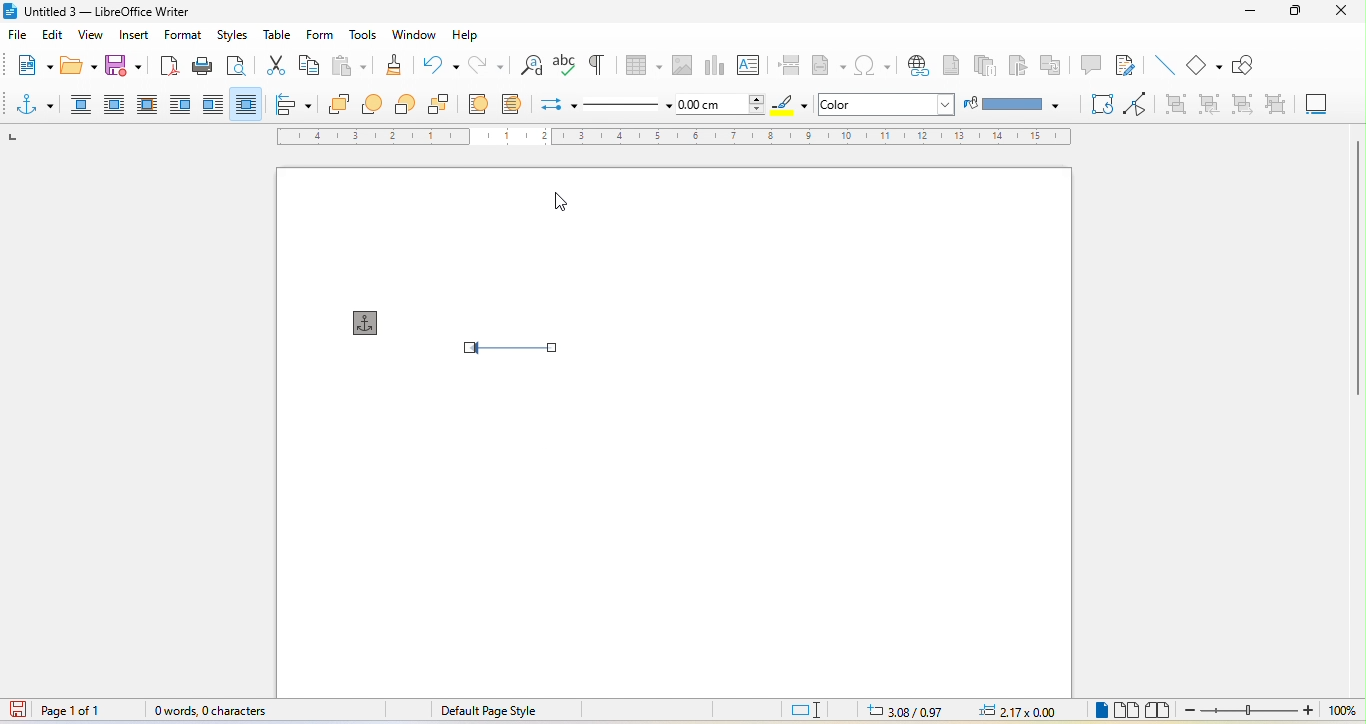 The image size is (1366, 724). I want to click on standard selection, so click(813, 710).